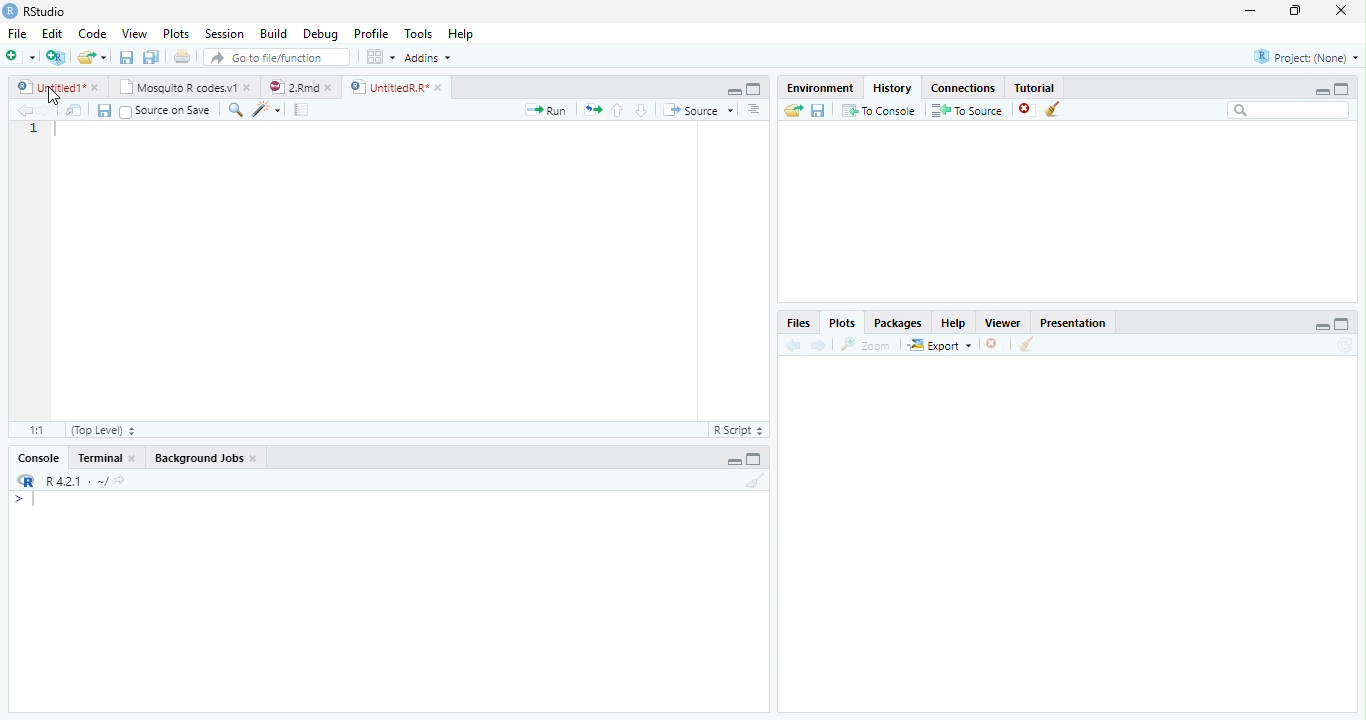  Describe the element at coordinates (38, 11) in the screenshot. I see `R studio` at that location.